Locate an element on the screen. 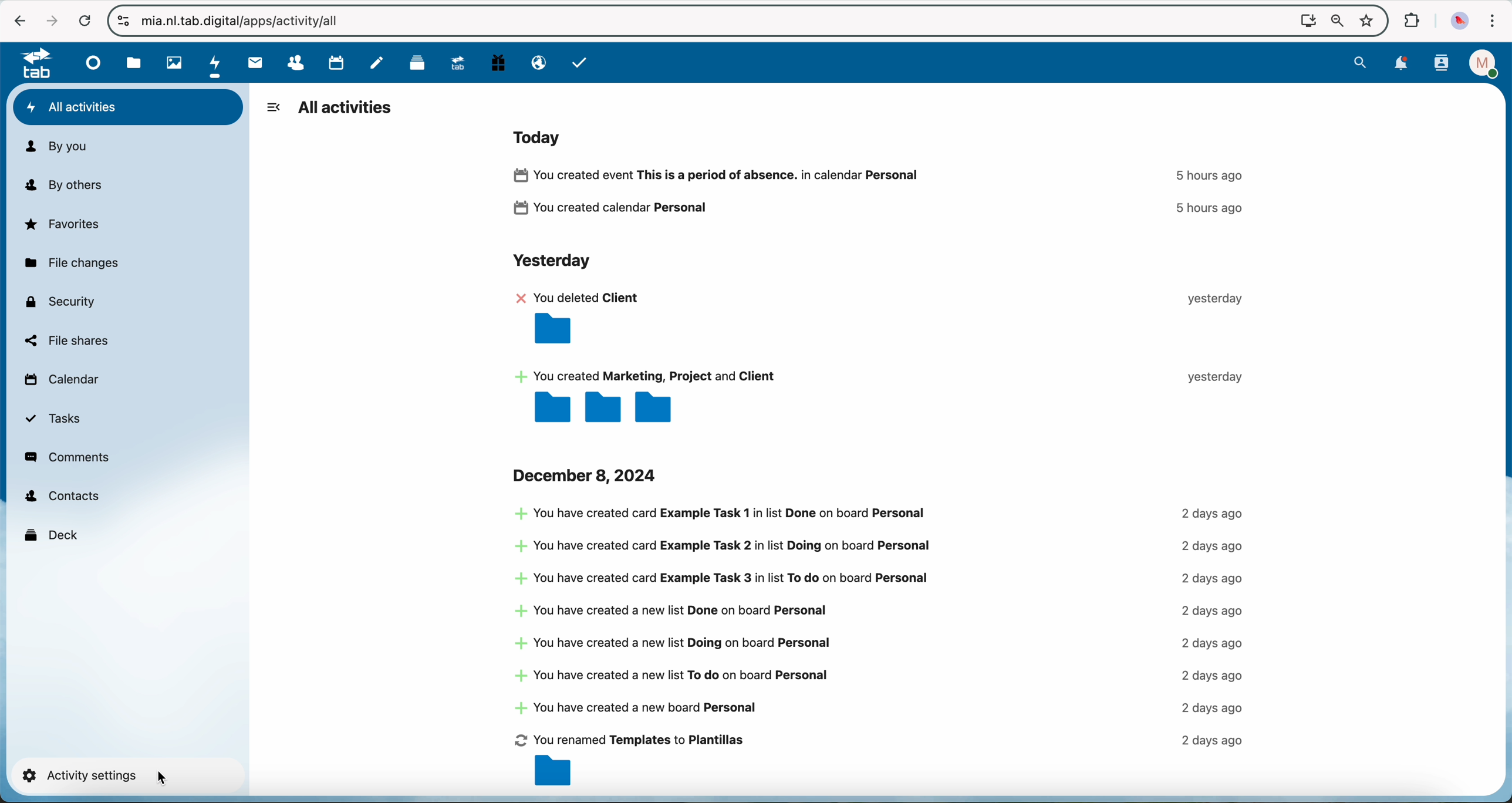  tab logo is located at coordinates (31, 64).